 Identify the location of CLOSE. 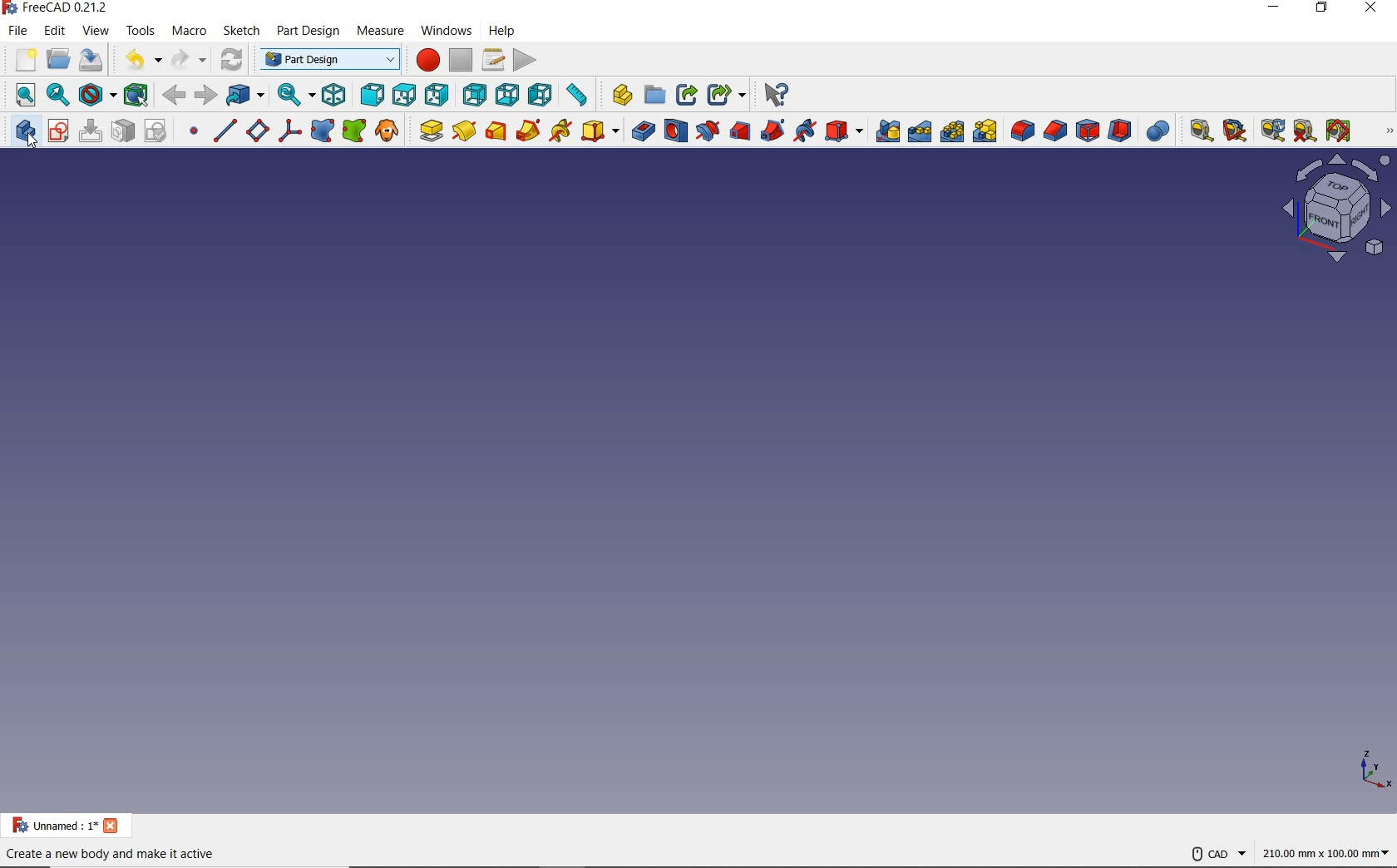
(1374, 11).